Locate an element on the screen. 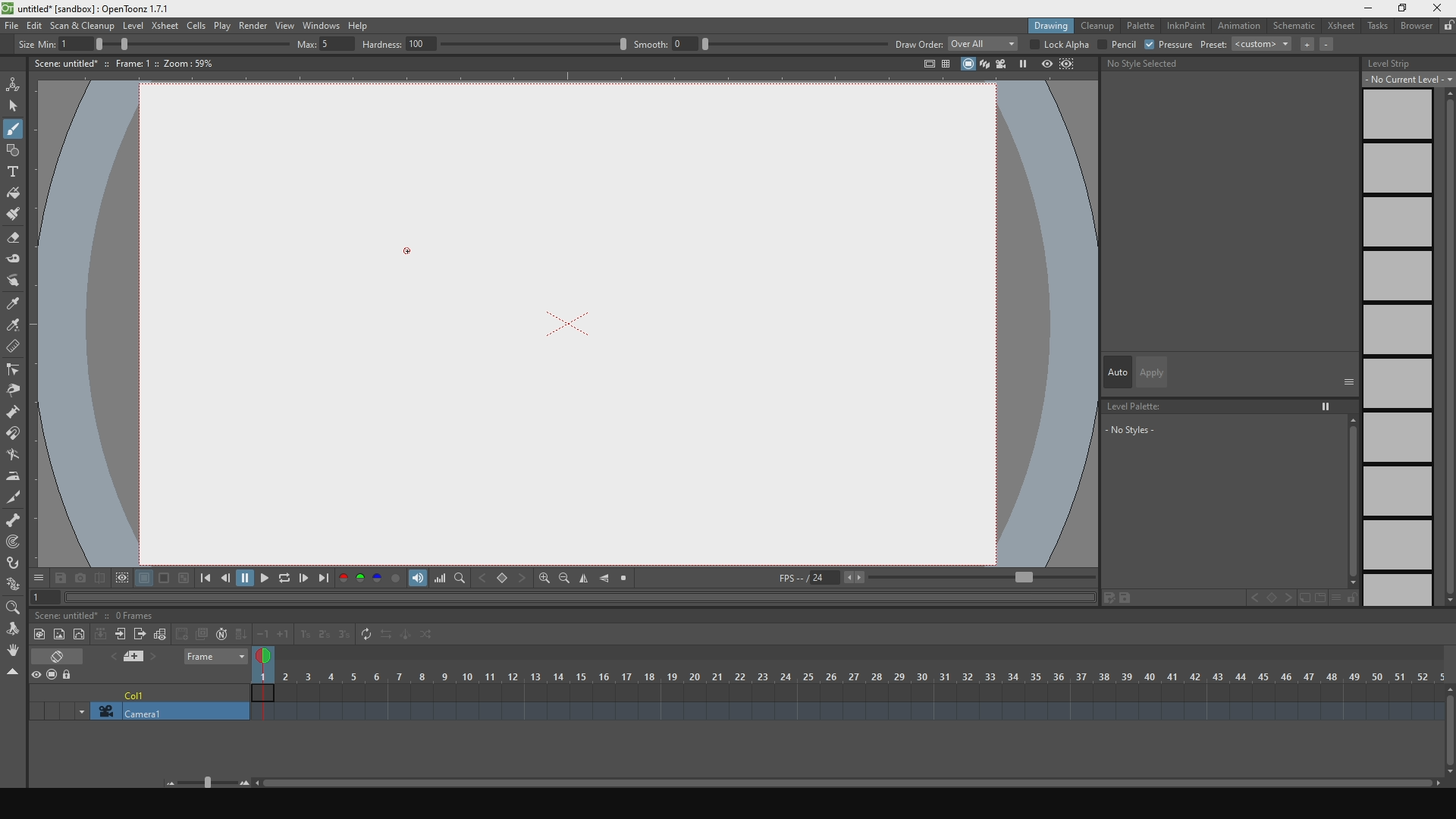 This screenshot has width=1456, height=819. mapping point is located at coordinates (14, 544).